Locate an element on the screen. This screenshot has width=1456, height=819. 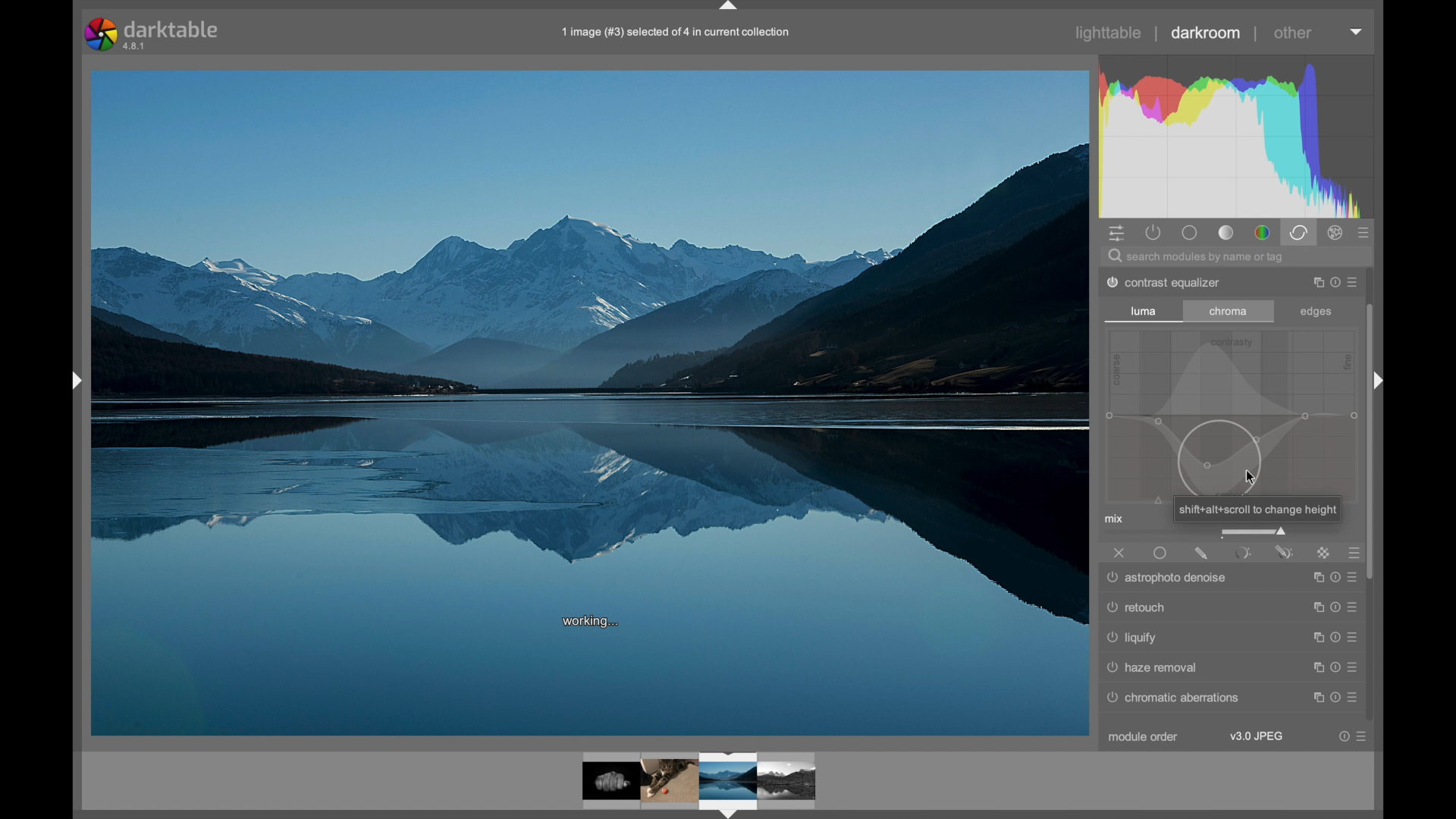
presets is located at coordinates (1357, 553).